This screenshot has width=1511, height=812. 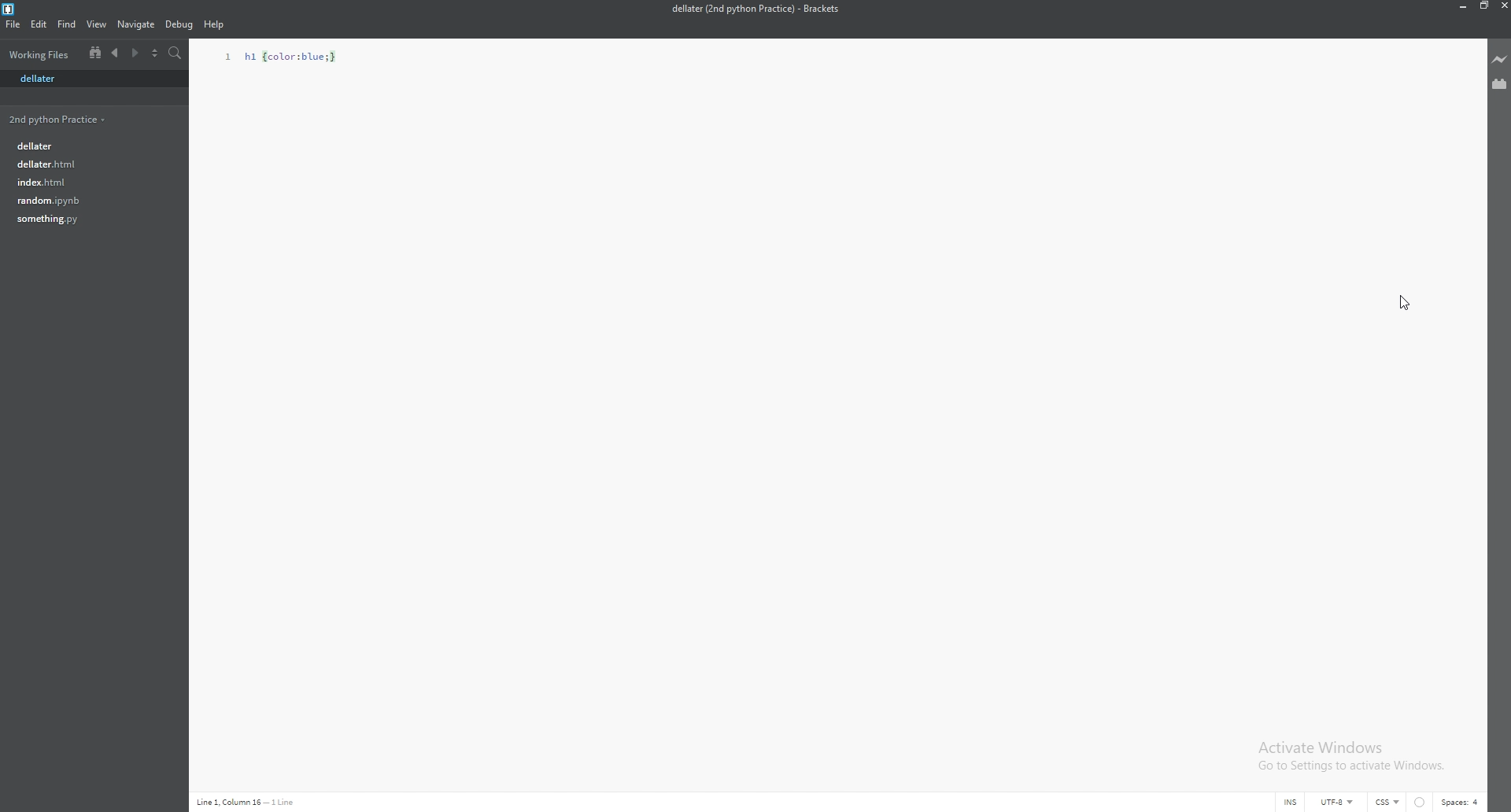 What do you see at coordinates (1421, 803) in the screenshot?
I see `linter` at bounding box center [1421, 803].